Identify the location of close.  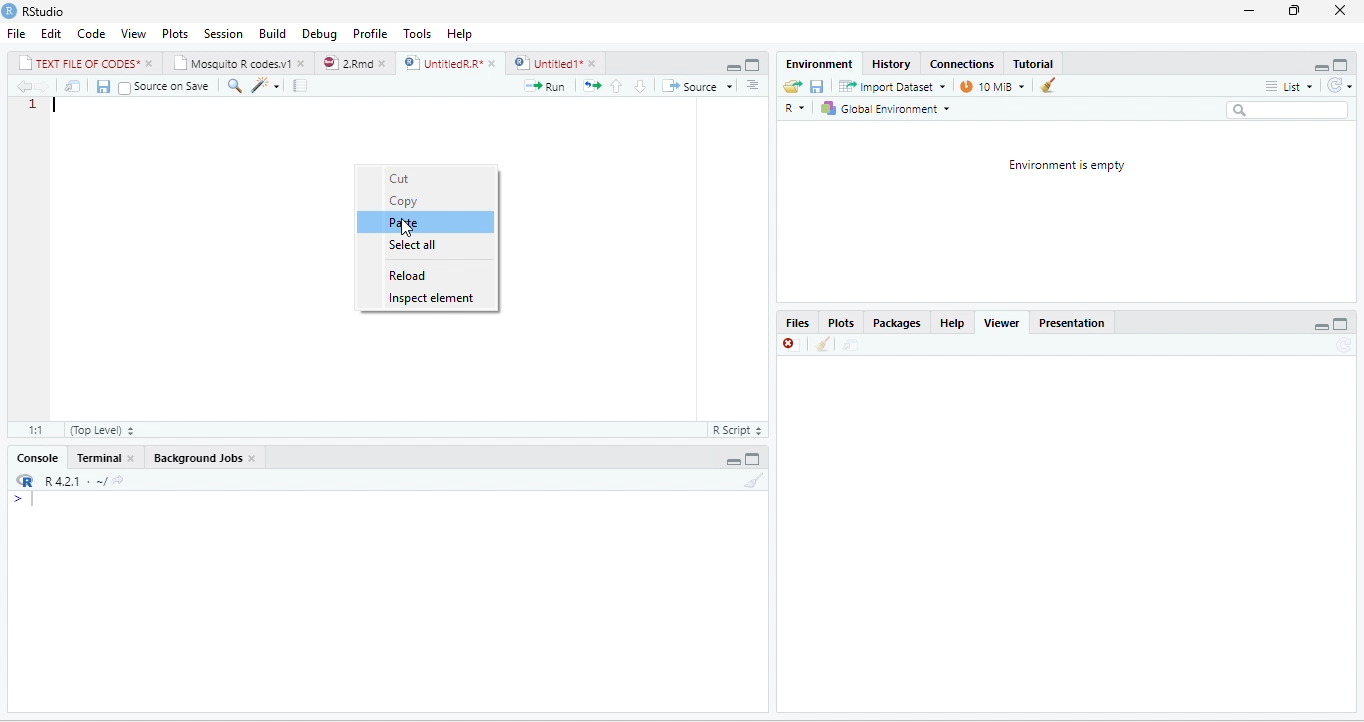
(254, 458).